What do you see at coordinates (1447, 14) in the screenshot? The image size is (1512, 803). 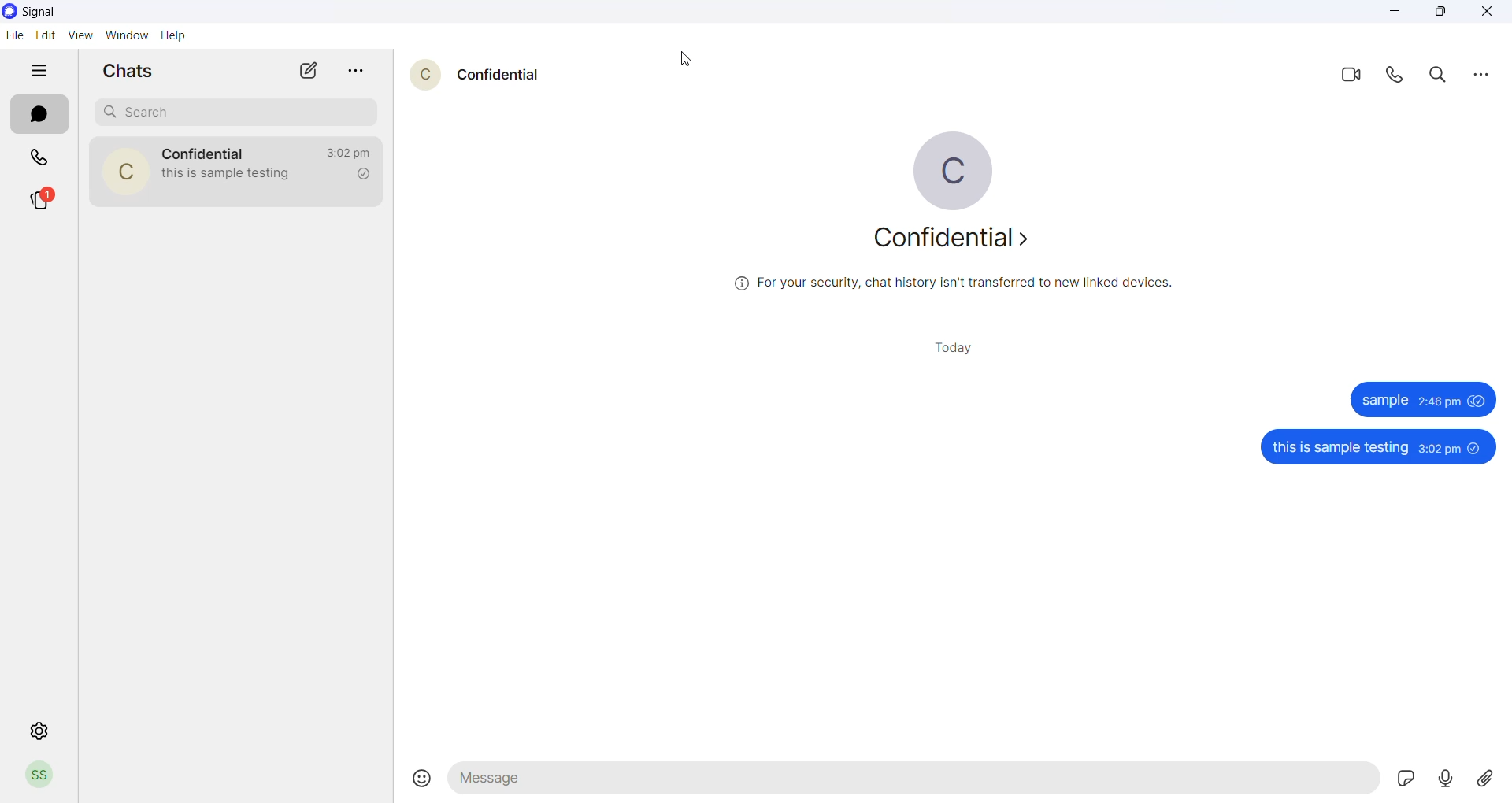 I see `maximize` at bounding box center [1447, 14].